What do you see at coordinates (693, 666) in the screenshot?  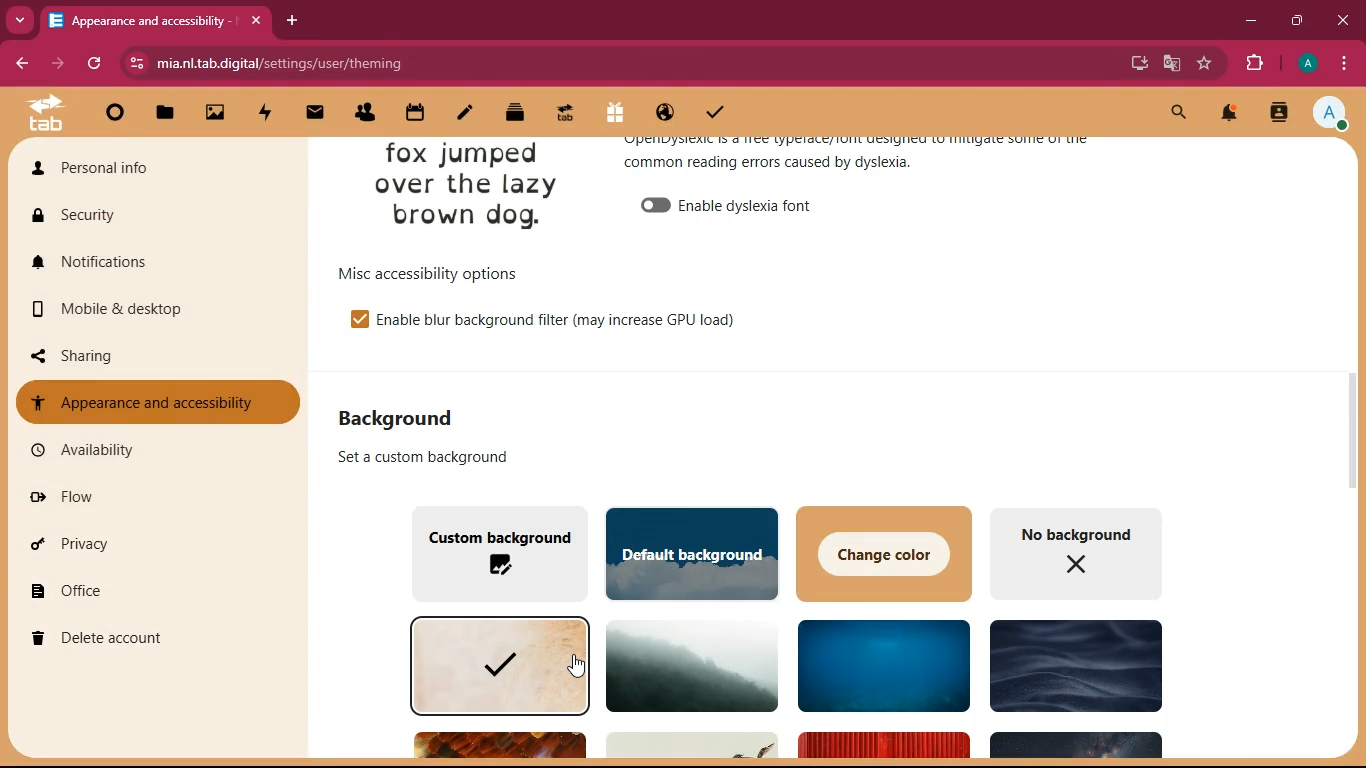 I see `background` at bounding box center [693, 666].